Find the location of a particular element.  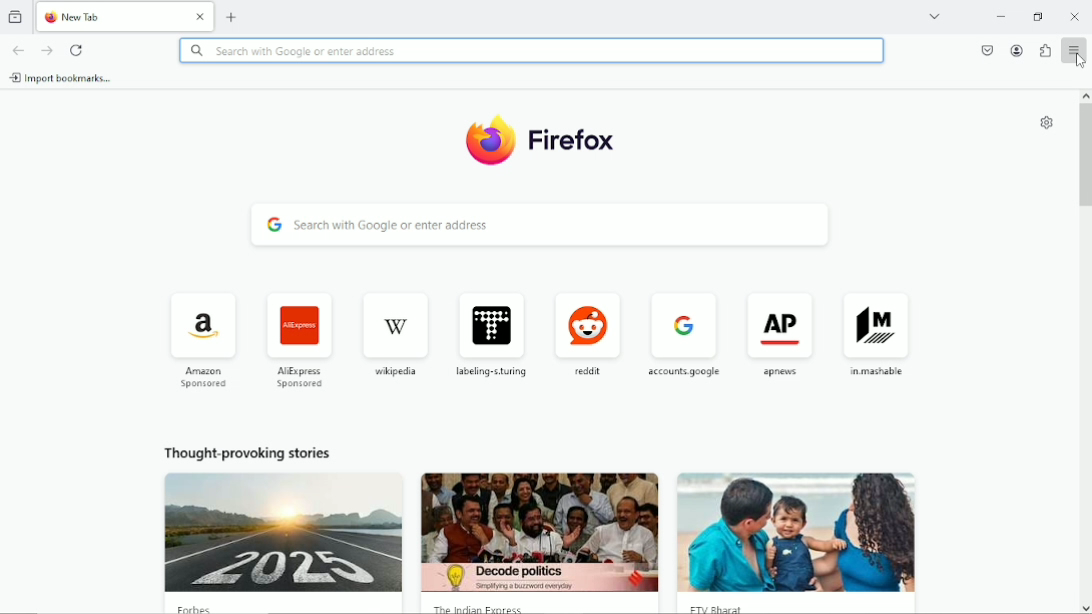

the indian express is located at coordinates (491, 608).